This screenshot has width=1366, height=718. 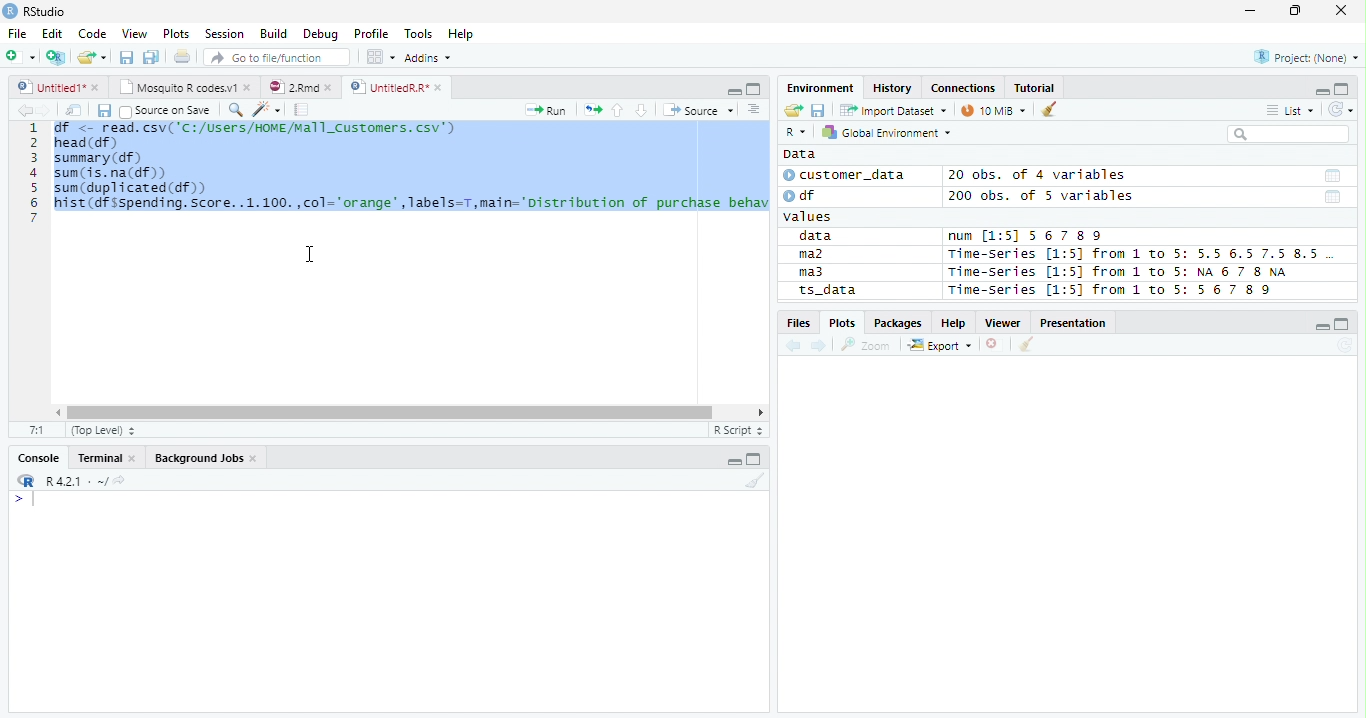 What do you see at coordinates (463, 34) in the screenshot?
I see `Help` at bounding box center [463, 34].